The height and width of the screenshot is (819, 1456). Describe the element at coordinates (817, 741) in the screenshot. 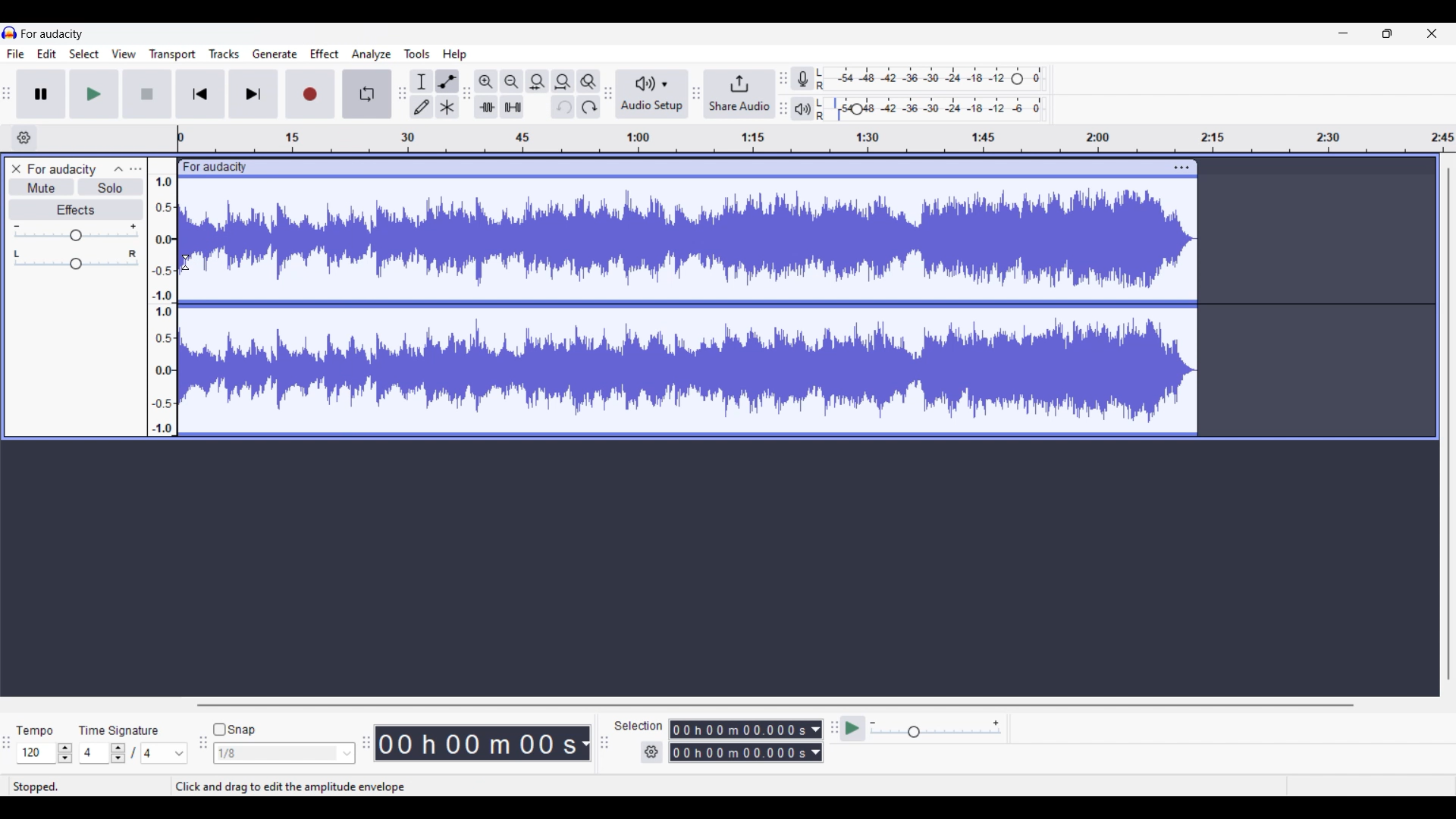

I see `Duration measurement` at that location.